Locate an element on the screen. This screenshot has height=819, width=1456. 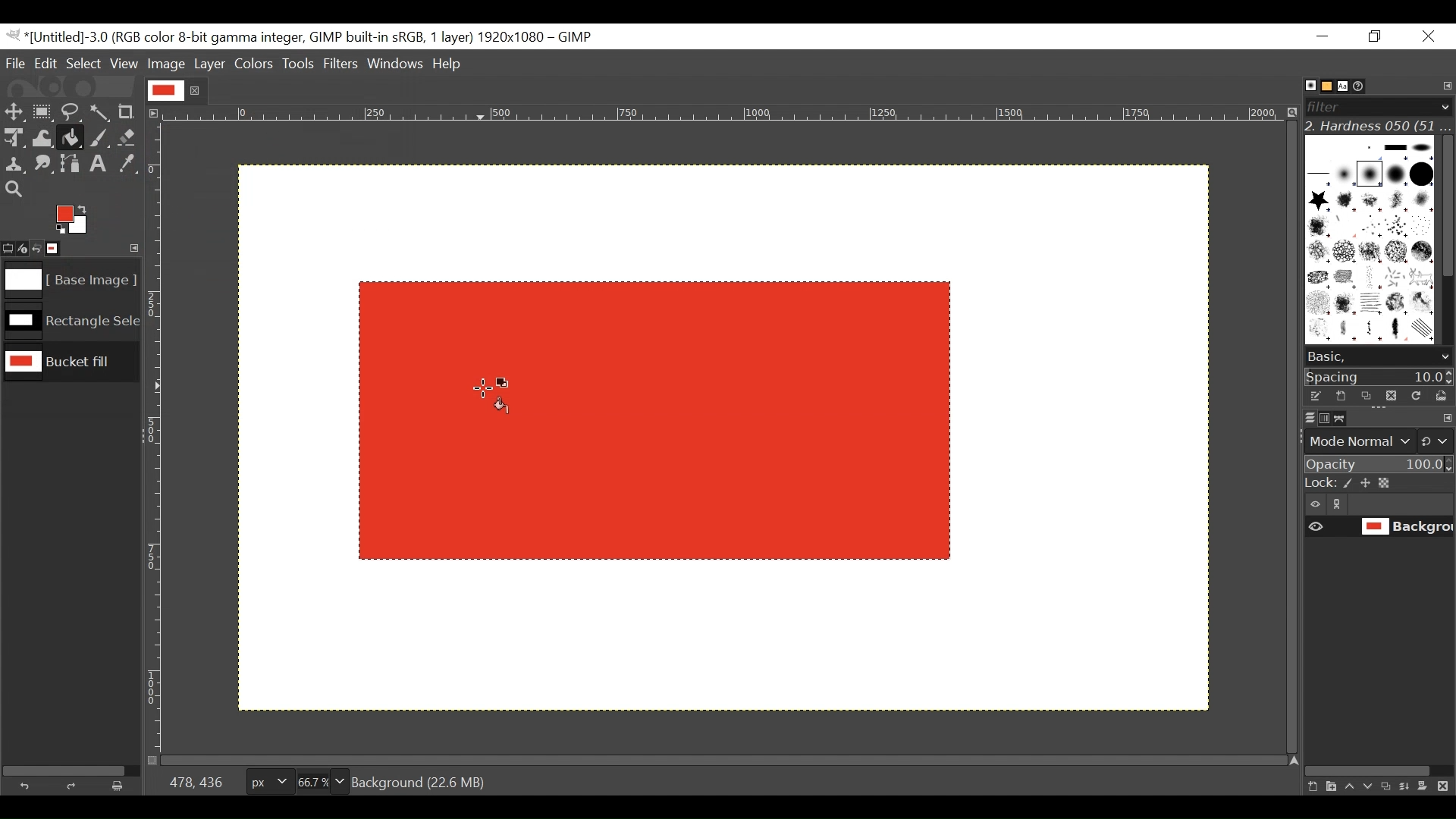
Crop tool is located at coordinates (133, 111).